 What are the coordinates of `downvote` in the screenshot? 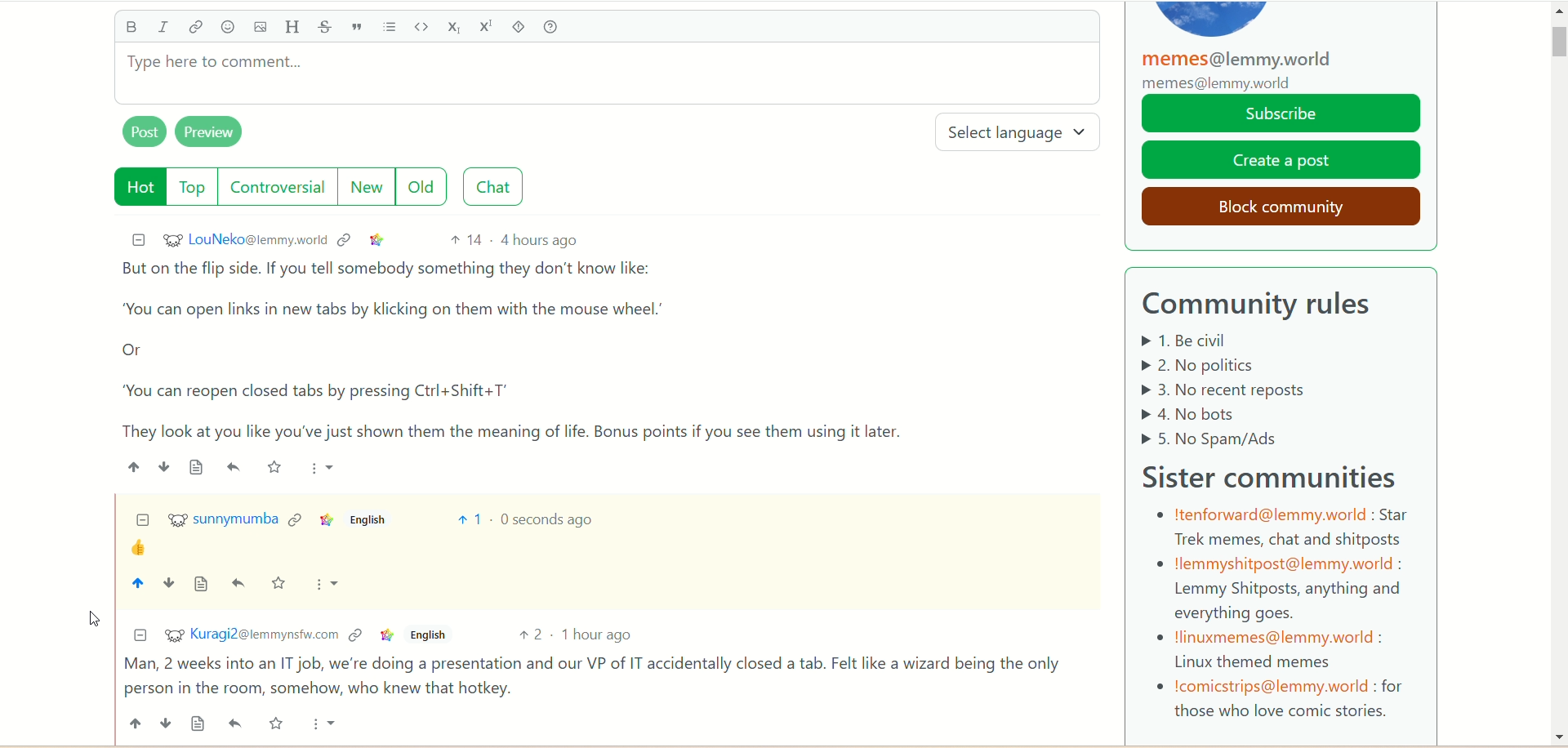 It's located at (159, 466).